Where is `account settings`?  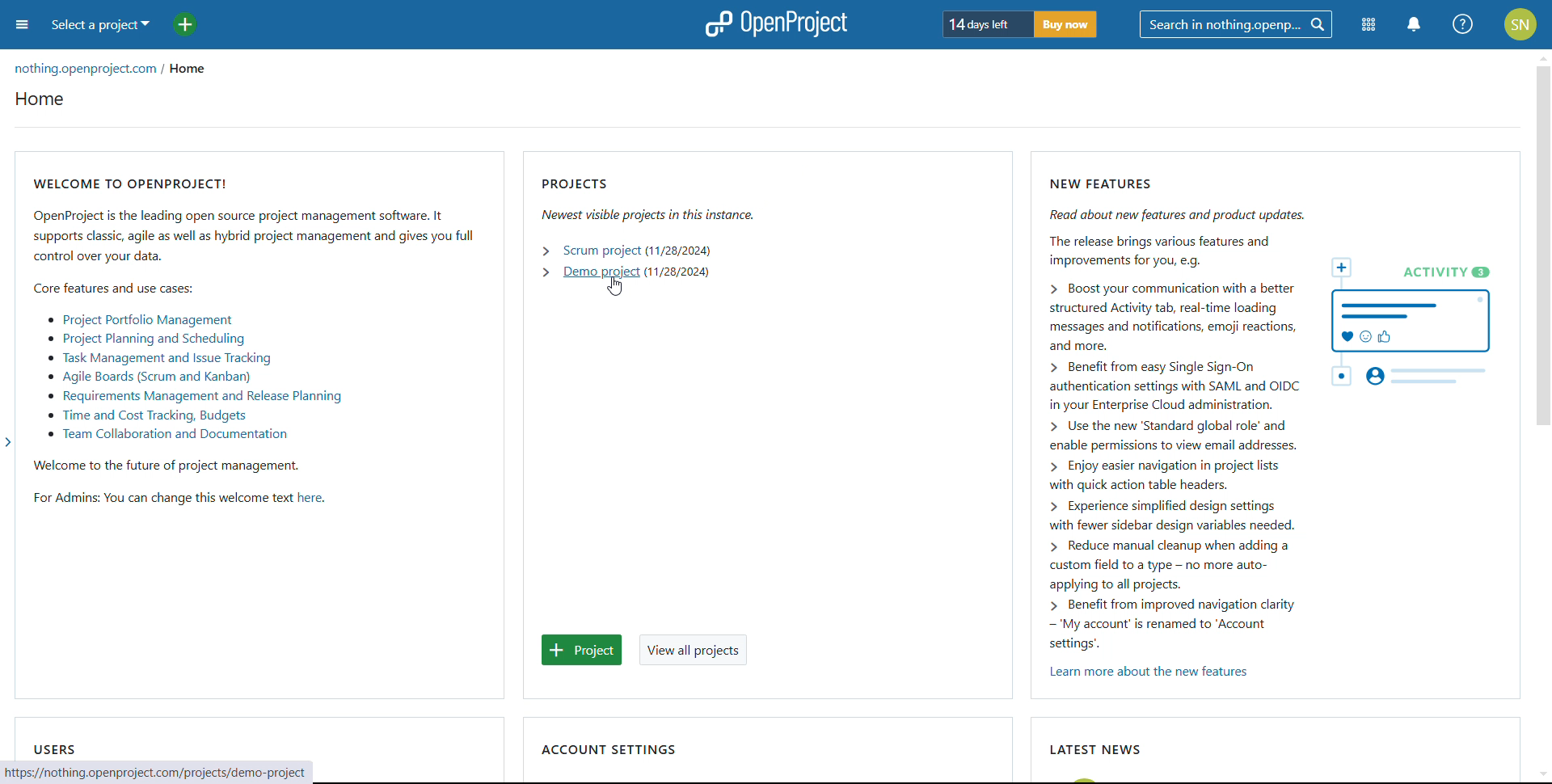
account settings is located at coordinates (608, 750).